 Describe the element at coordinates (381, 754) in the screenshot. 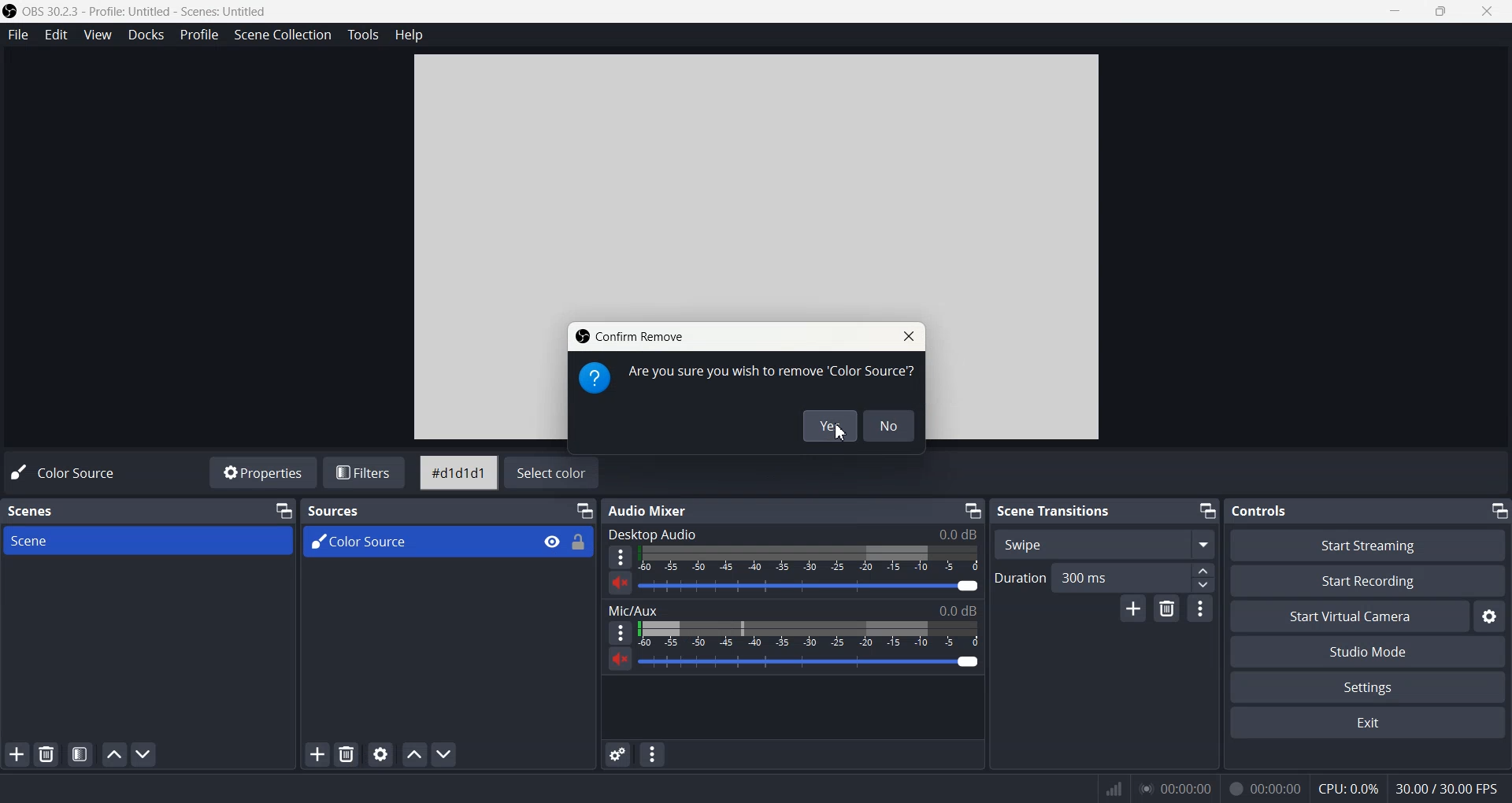

I see `Open source Properties` at that location.